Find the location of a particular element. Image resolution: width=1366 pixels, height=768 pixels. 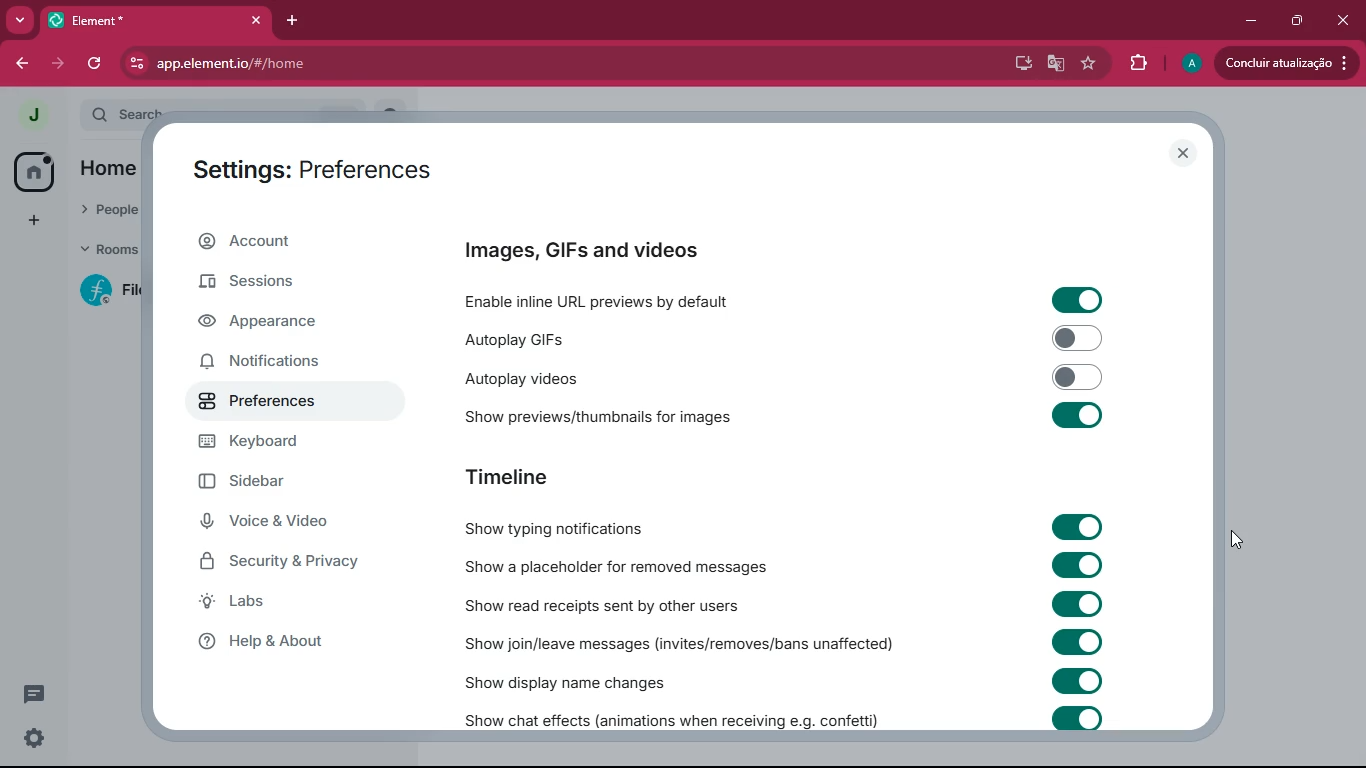

toggle on/off is located at coordinates (1079, 565).